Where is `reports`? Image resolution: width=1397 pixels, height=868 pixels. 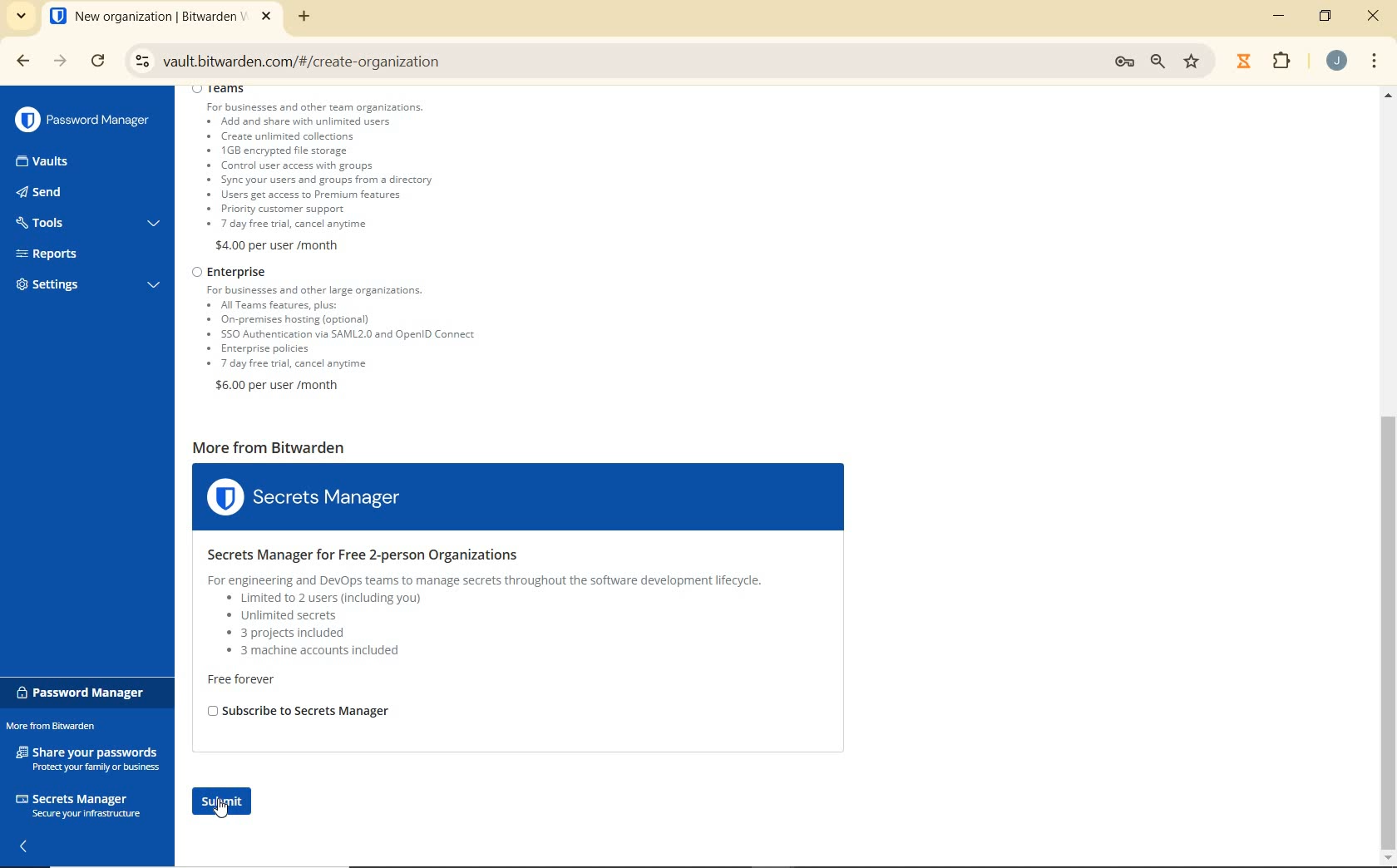
reports is located at coordinates (88, 254).